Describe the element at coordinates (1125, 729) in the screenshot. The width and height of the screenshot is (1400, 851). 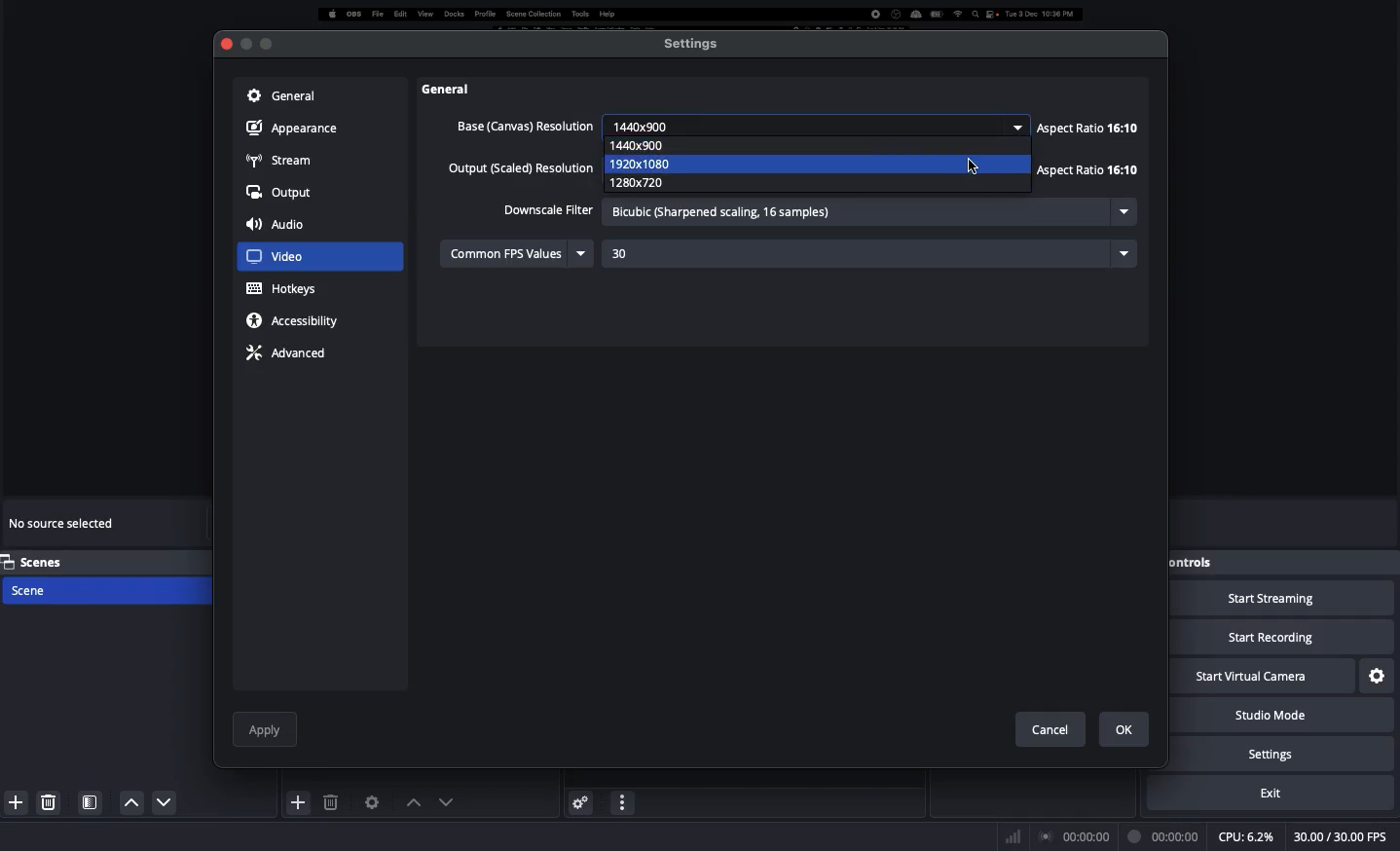
I see `Ok` at that location.